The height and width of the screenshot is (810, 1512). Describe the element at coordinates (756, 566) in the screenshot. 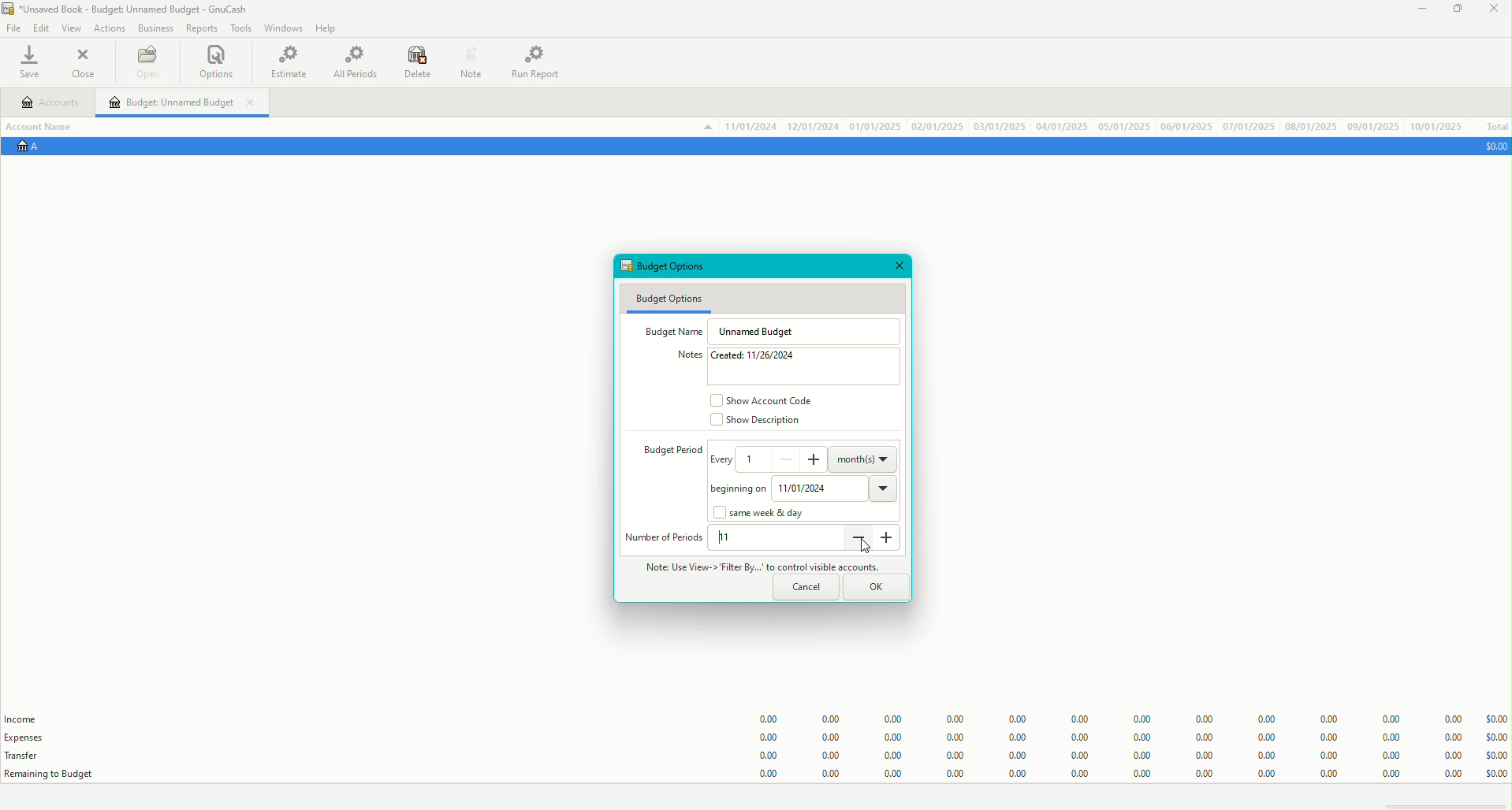

I see `Note - Use View - Filter by to control visible accounts` at that location.